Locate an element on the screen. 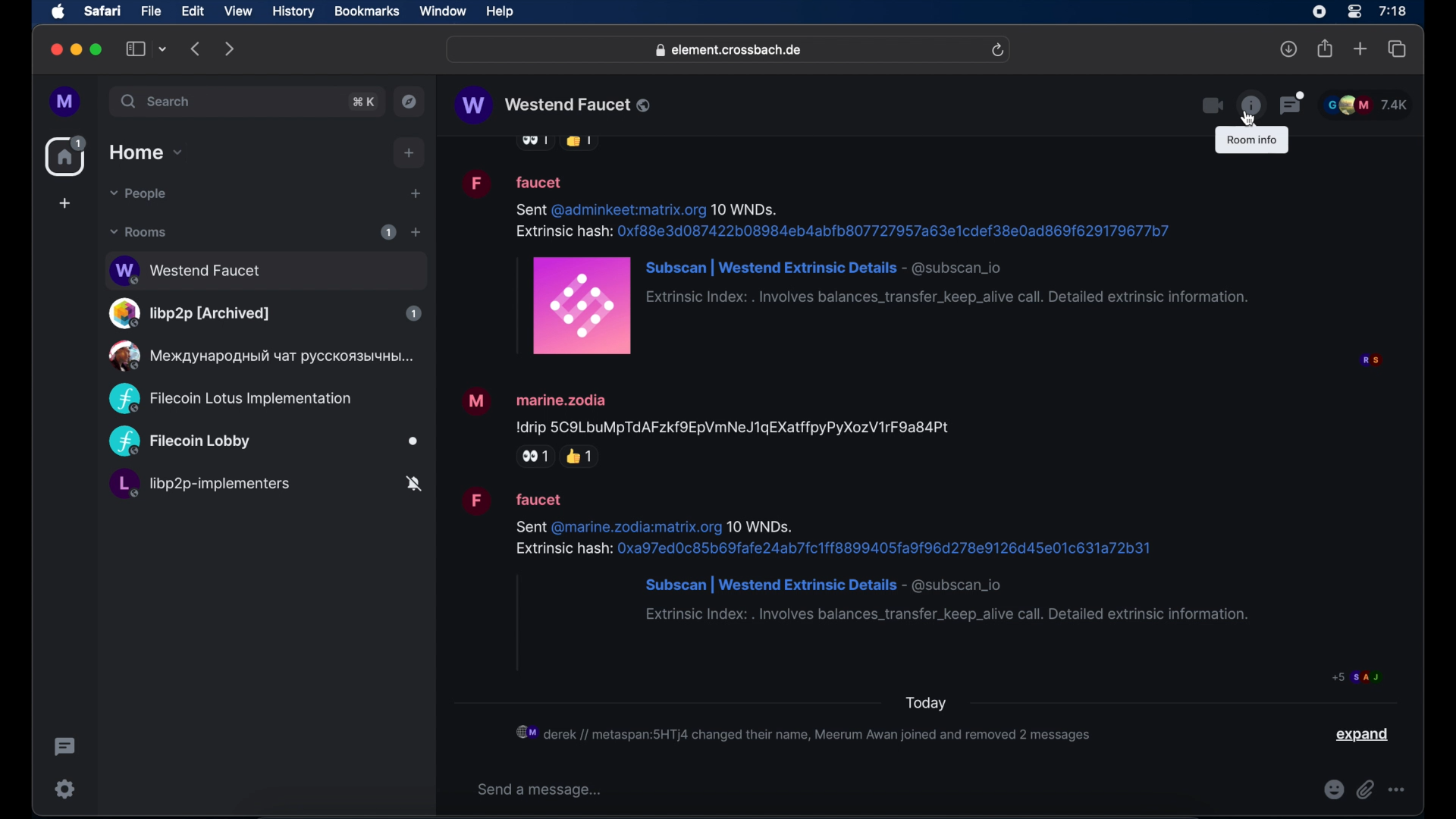 This screenshot has width=1456, height=819. message is located at coordinates (861, 555).